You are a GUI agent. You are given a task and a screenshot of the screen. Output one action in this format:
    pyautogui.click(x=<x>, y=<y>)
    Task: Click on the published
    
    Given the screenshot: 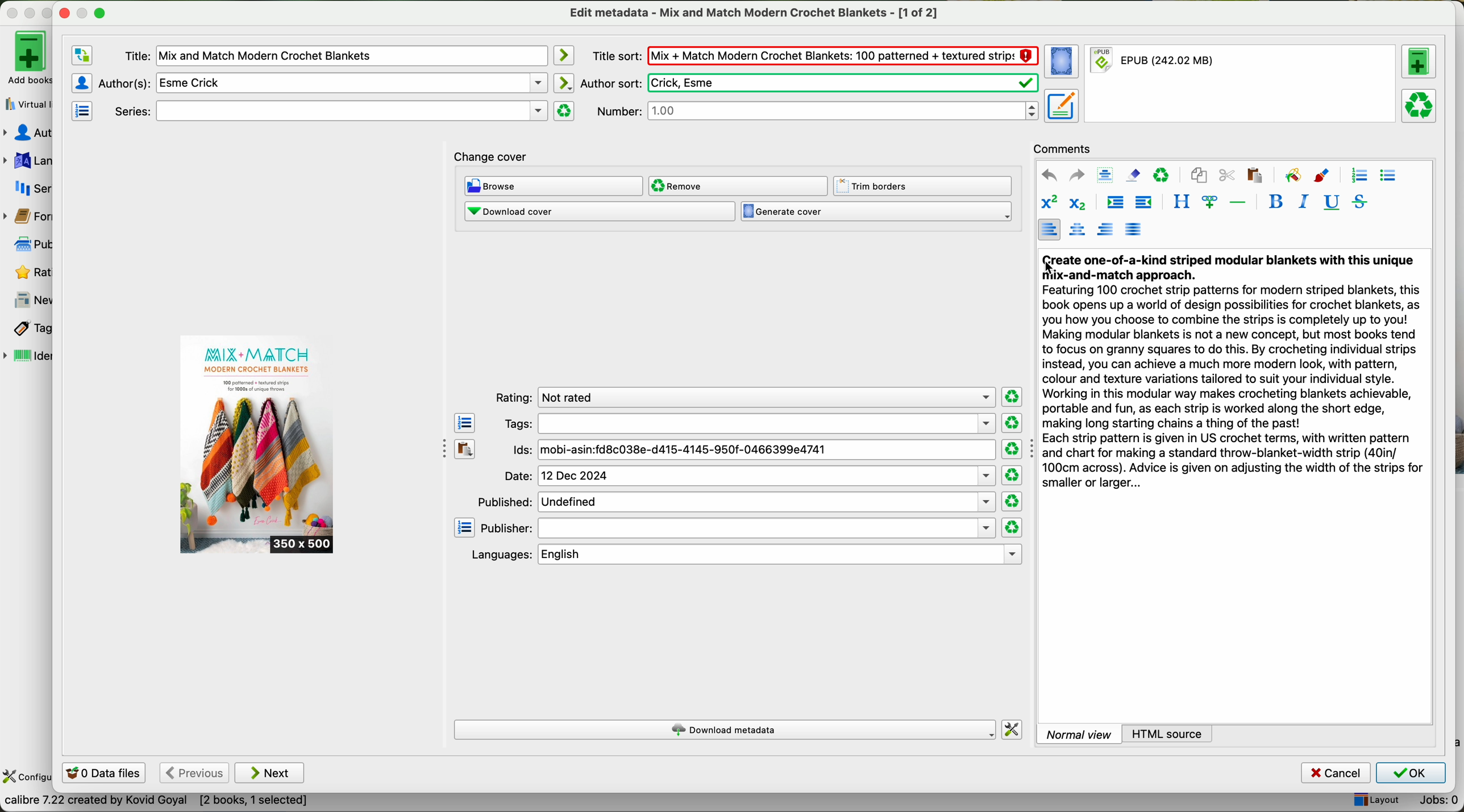 What is the action you would take?
    pyautogui.click(x=735, y=501)
    